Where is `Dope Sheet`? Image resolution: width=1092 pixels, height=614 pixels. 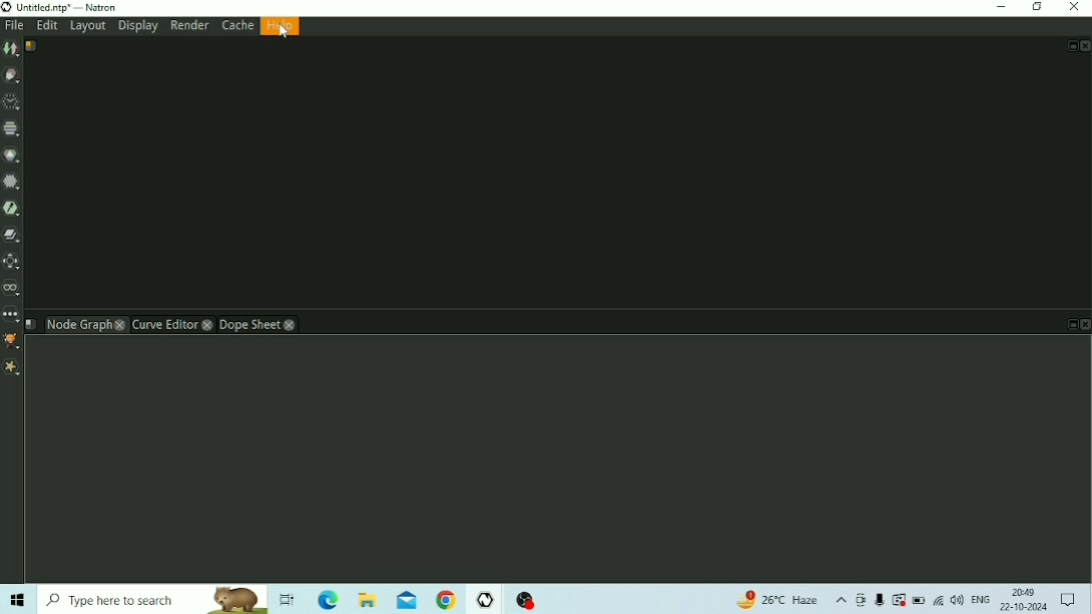
Dope Sheet is located at coordinates (258, 324).